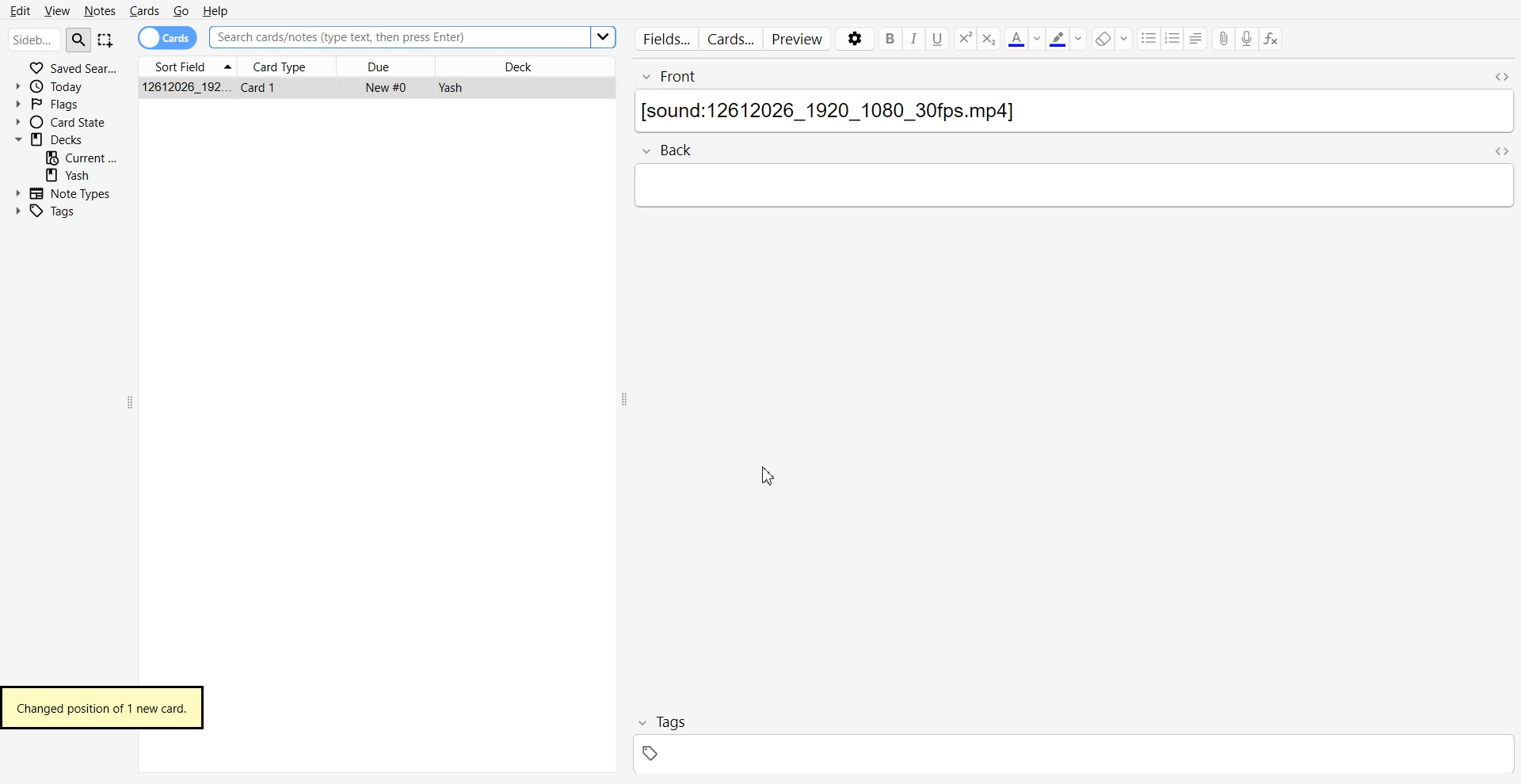  I want to click on type, so click(1072, 186).